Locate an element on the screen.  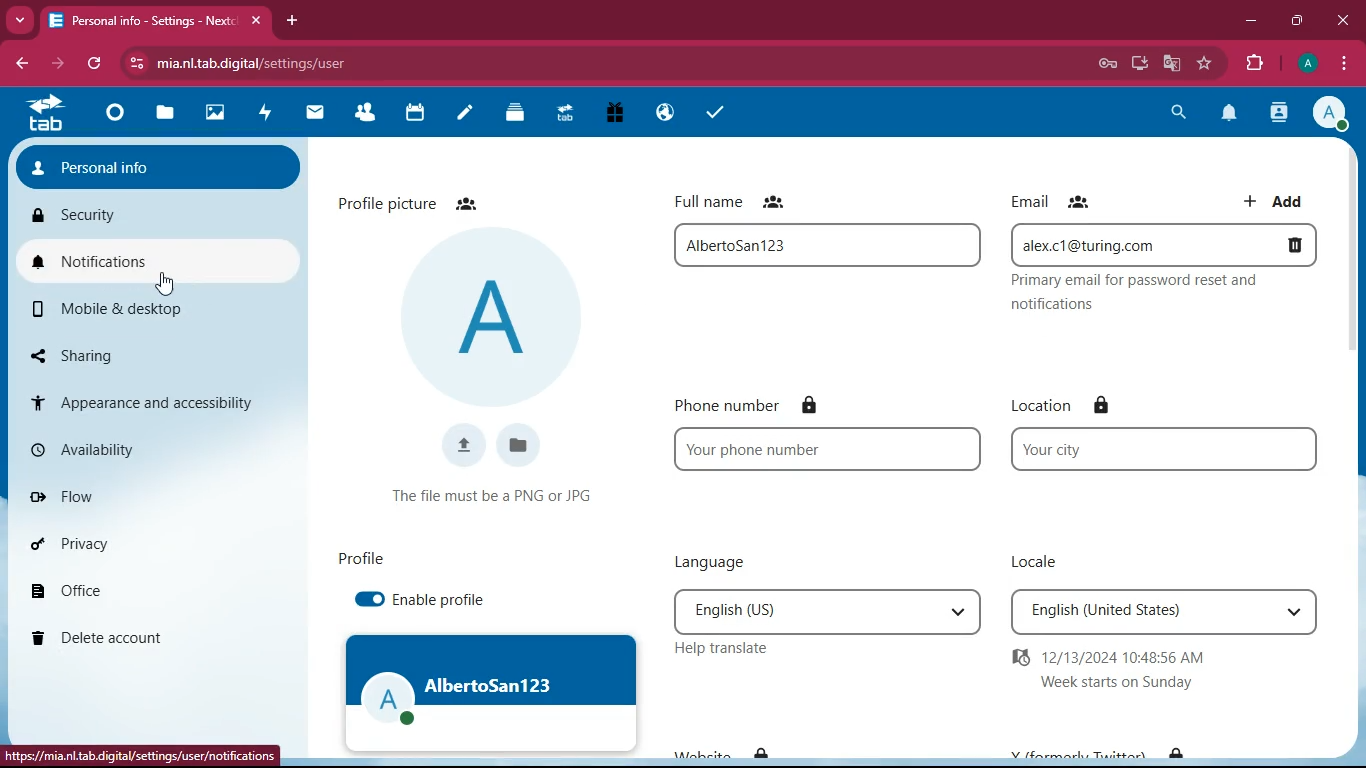
profile picture is located at coordinates (388, 203).